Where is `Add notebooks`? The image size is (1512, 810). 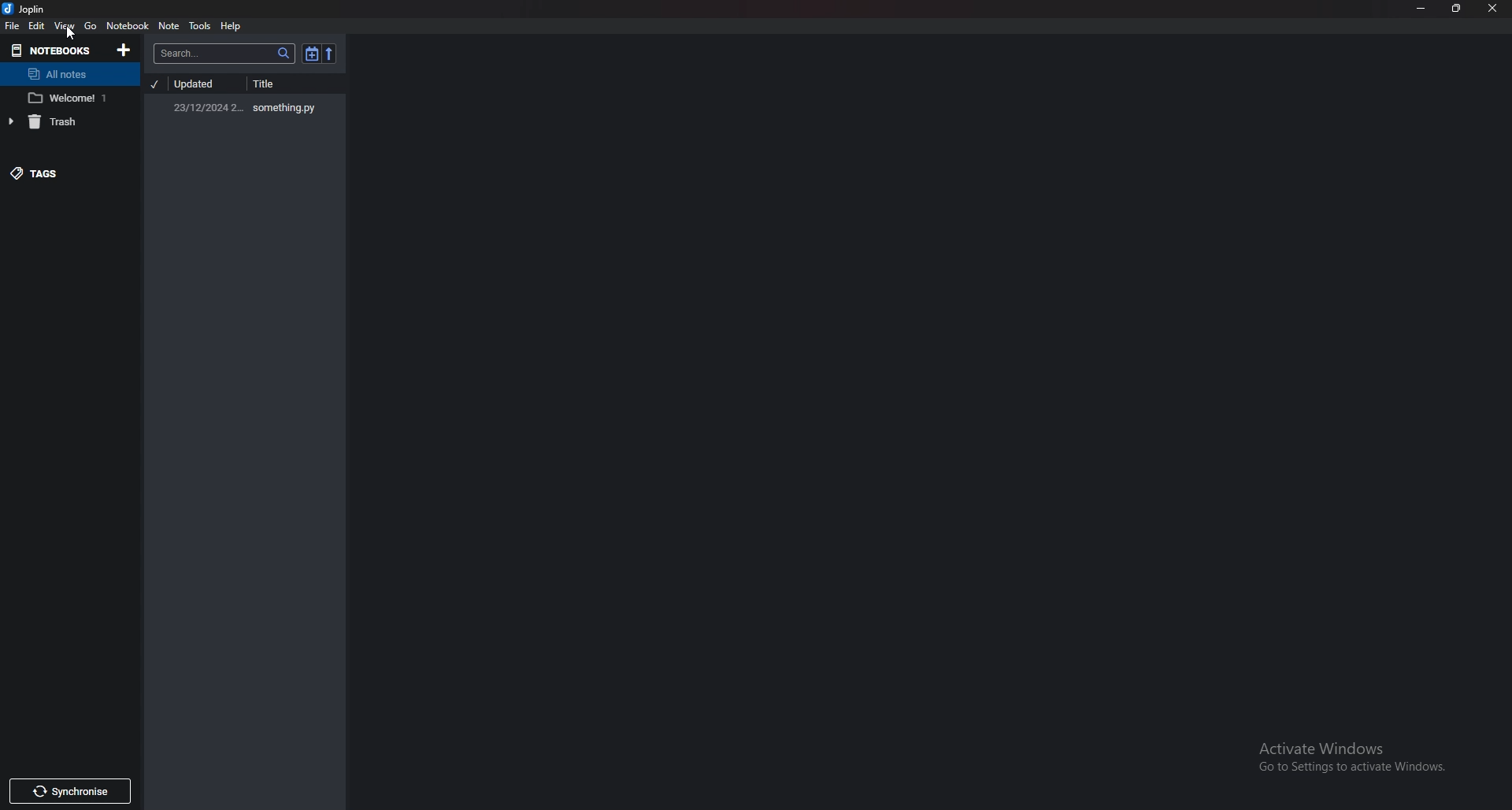
Add notebooks is located at coordinates (125, 50).